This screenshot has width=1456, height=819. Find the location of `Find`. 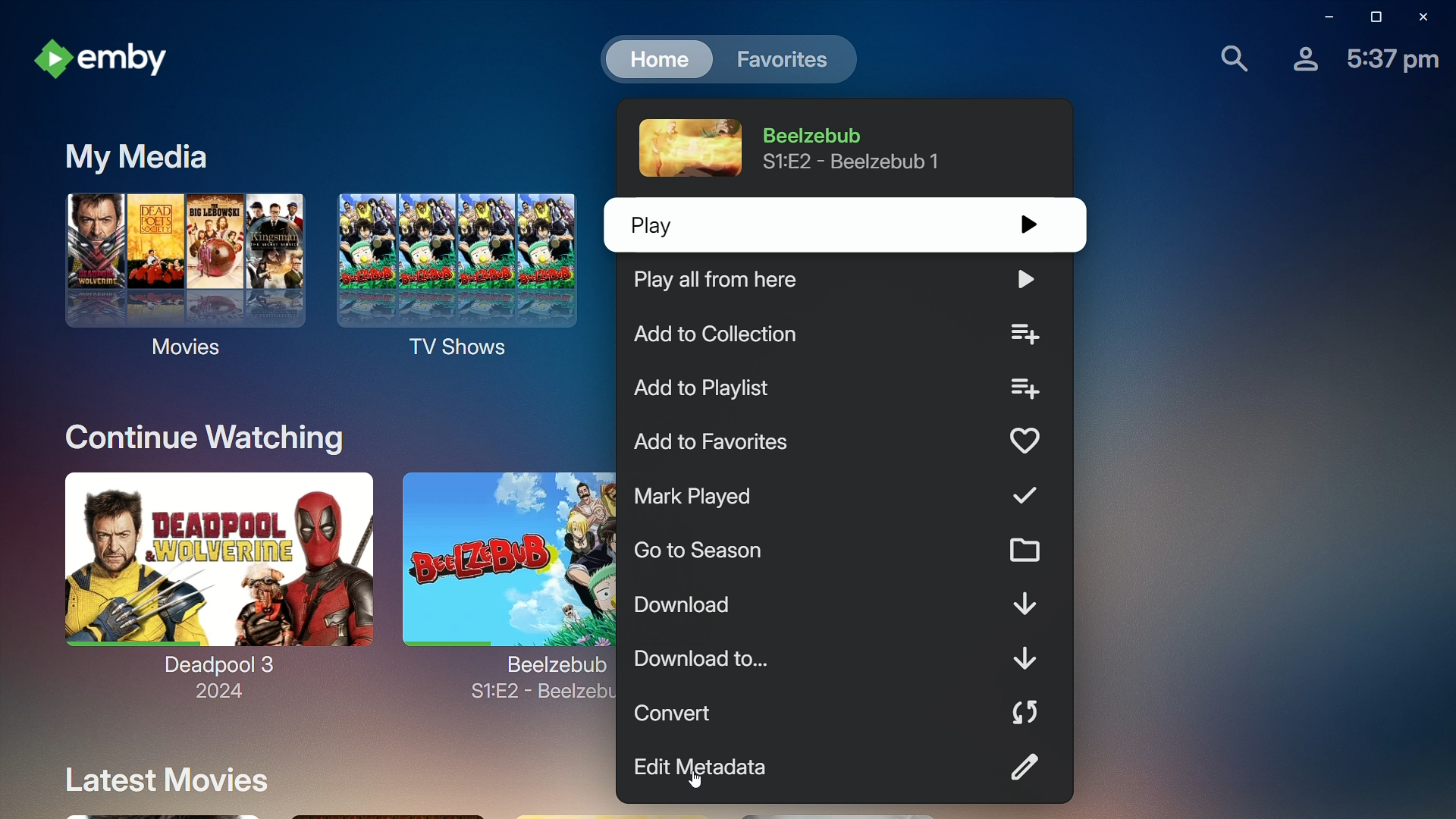

Find is located at coordinates (1224, 60).